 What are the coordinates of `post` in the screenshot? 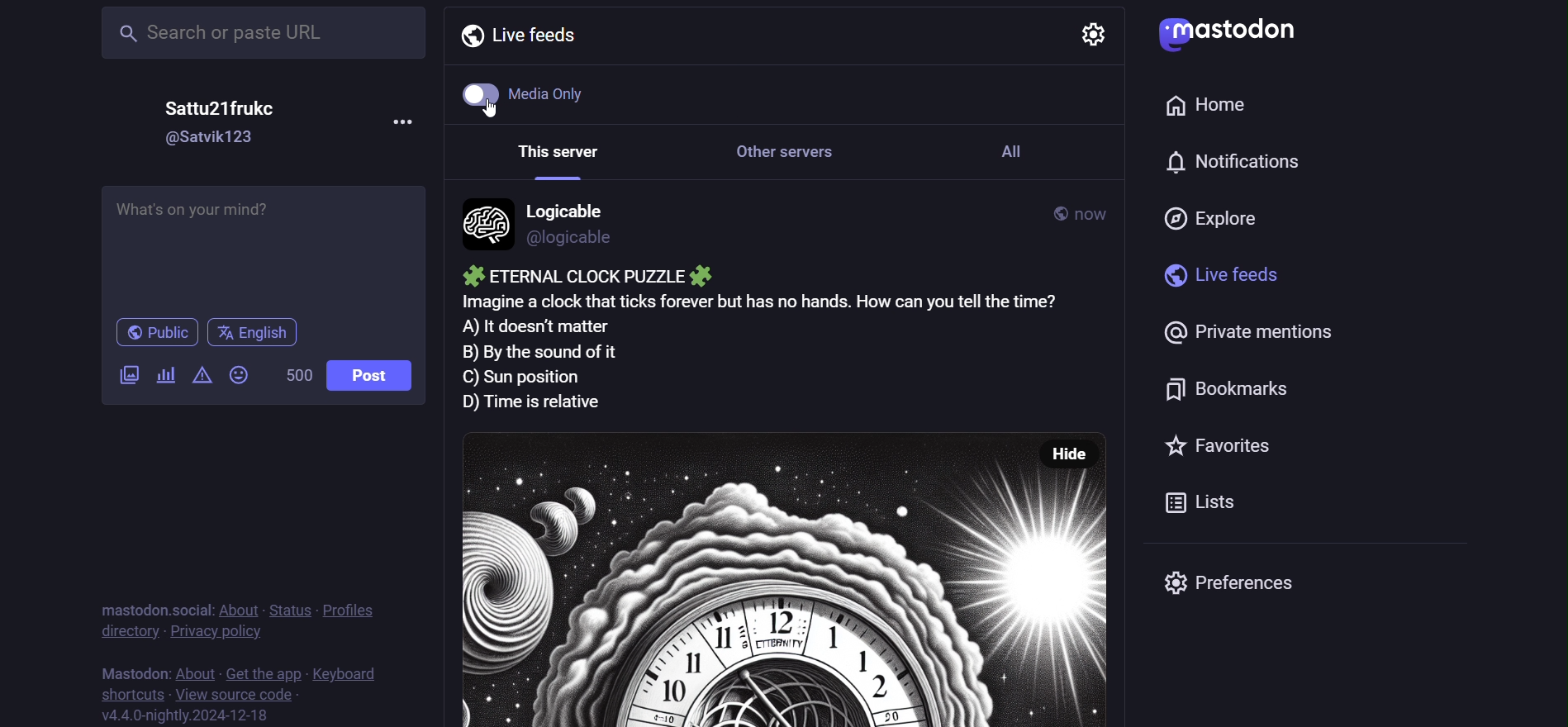 It's located at (380, 378).